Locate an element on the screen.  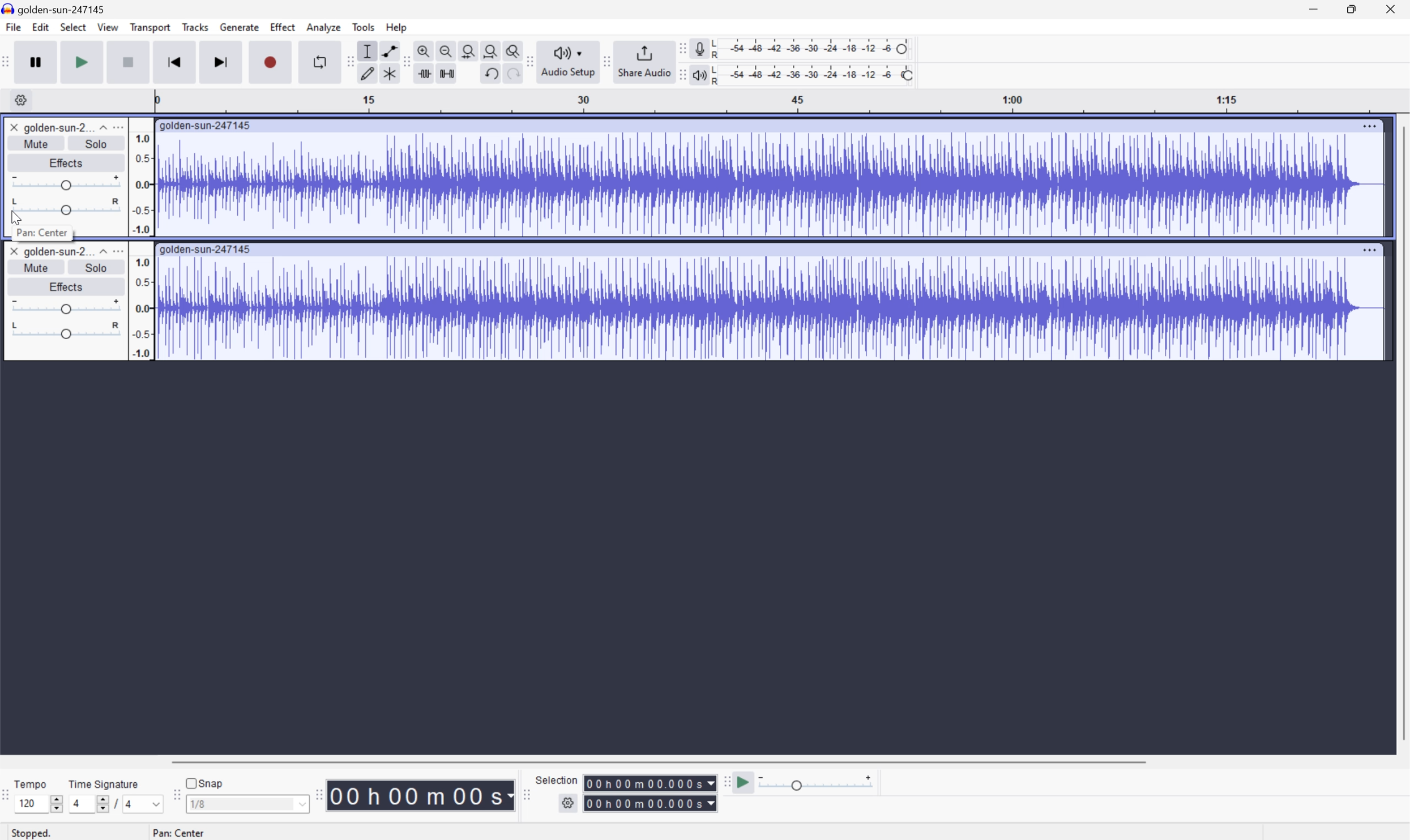
Scroll Bar is located at coordinates (1401, 432).